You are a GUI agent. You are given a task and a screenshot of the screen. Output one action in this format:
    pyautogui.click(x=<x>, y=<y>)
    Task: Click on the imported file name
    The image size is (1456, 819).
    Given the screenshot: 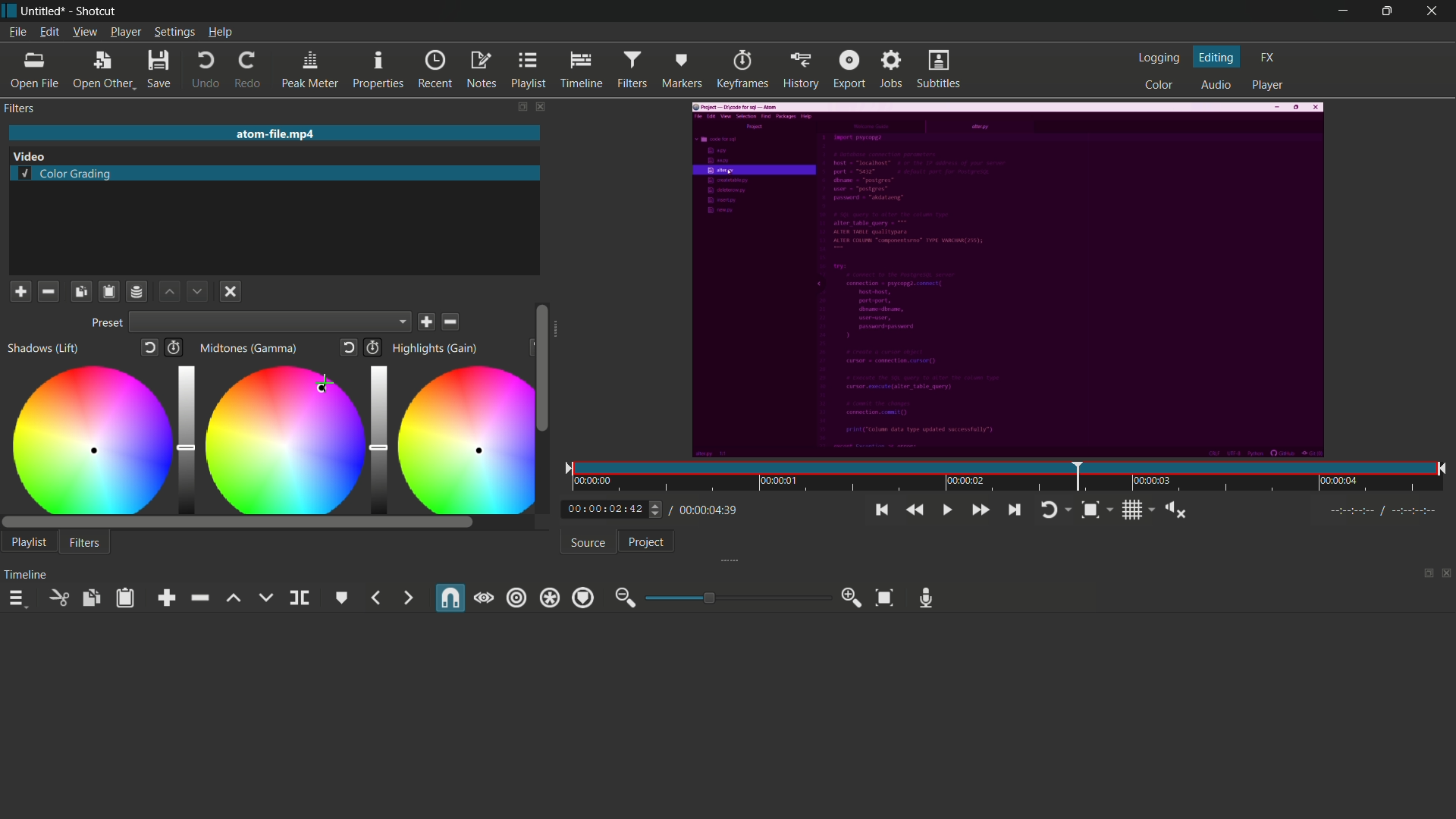 What is the action you would take?
    pyautogui.click(x=272, y=134)
    